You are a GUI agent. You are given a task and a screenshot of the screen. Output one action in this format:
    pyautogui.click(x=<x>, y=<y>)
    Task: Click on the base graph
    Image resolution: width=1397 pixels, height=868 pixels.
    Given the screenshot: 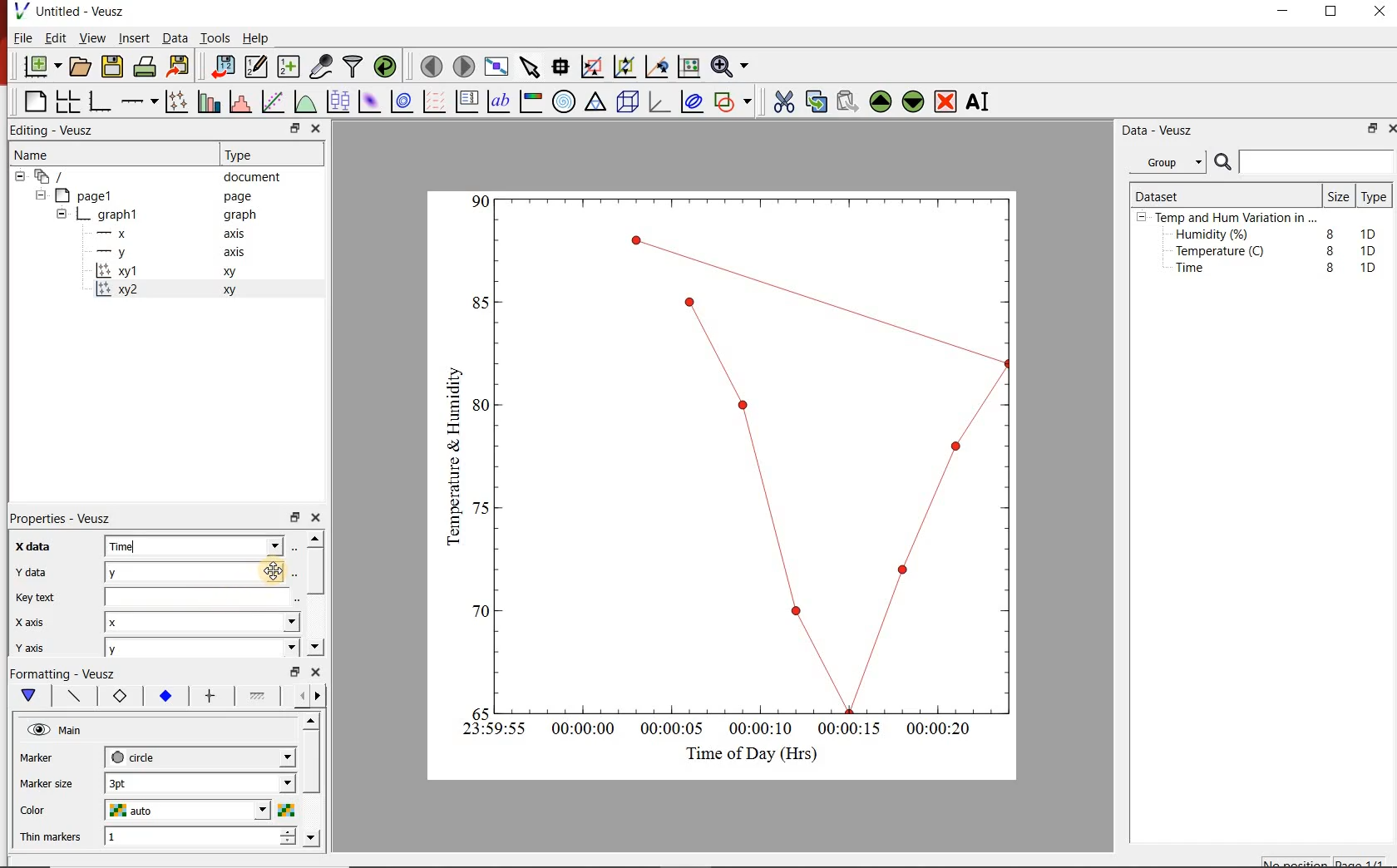 What is the action you would take?
    pyautogui.click(x=101, y=99)
    